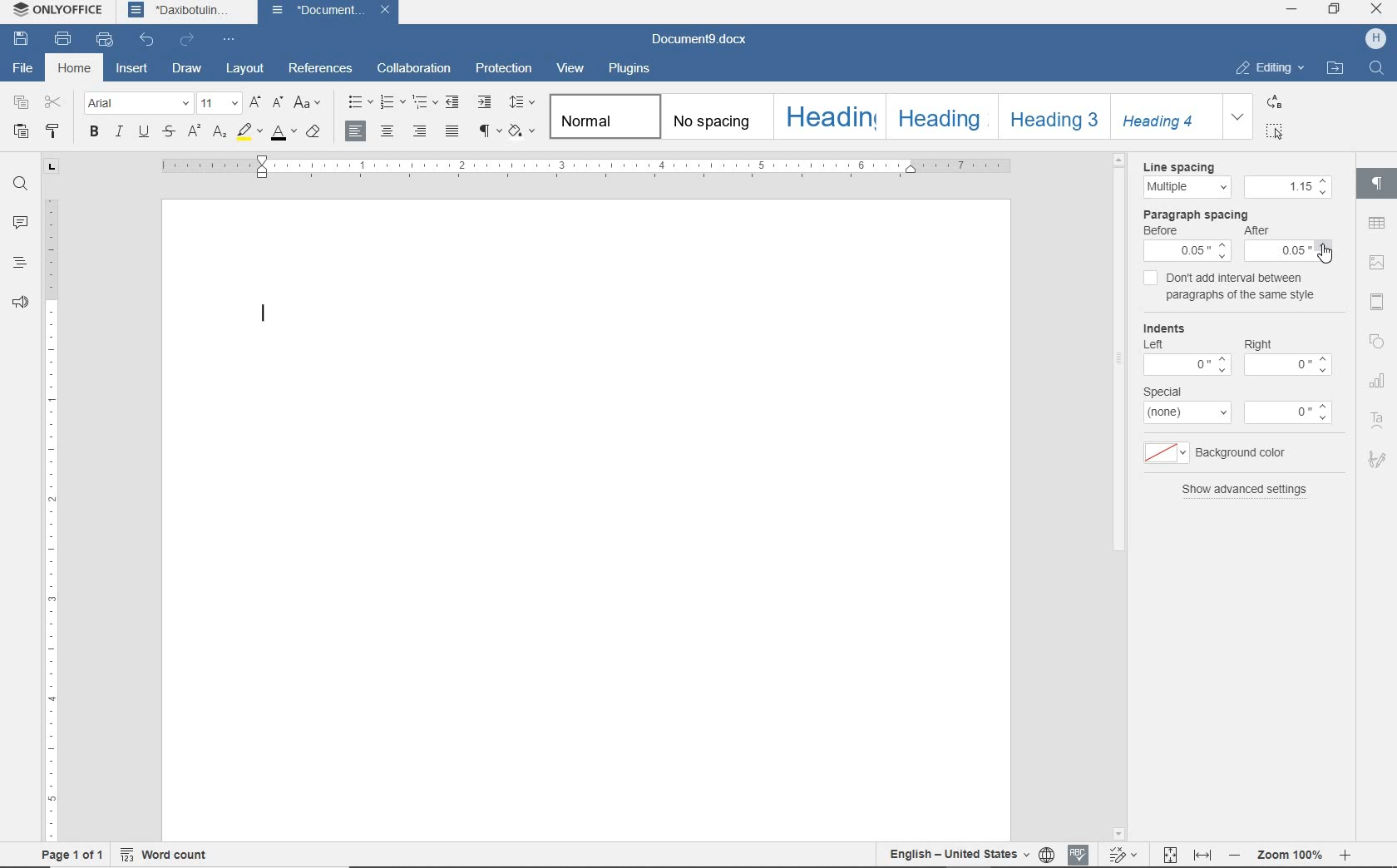 The height and width of the screenshot is (868, 1397). Describe the element at coordinates (1375, 39) in the screenshot. I see `HP` at that location.